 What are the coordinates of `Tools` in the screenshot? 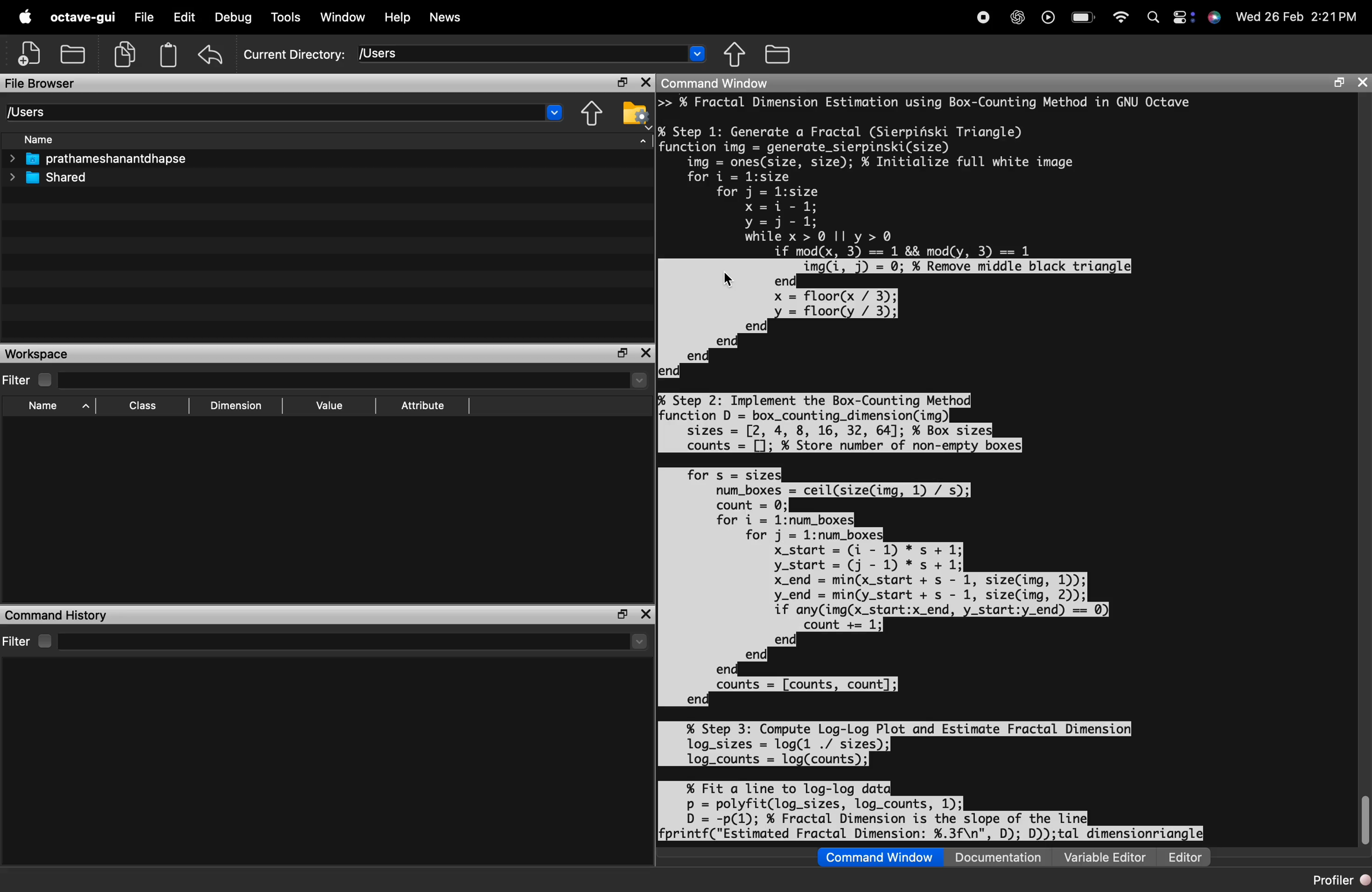 It's located at (287, 18).